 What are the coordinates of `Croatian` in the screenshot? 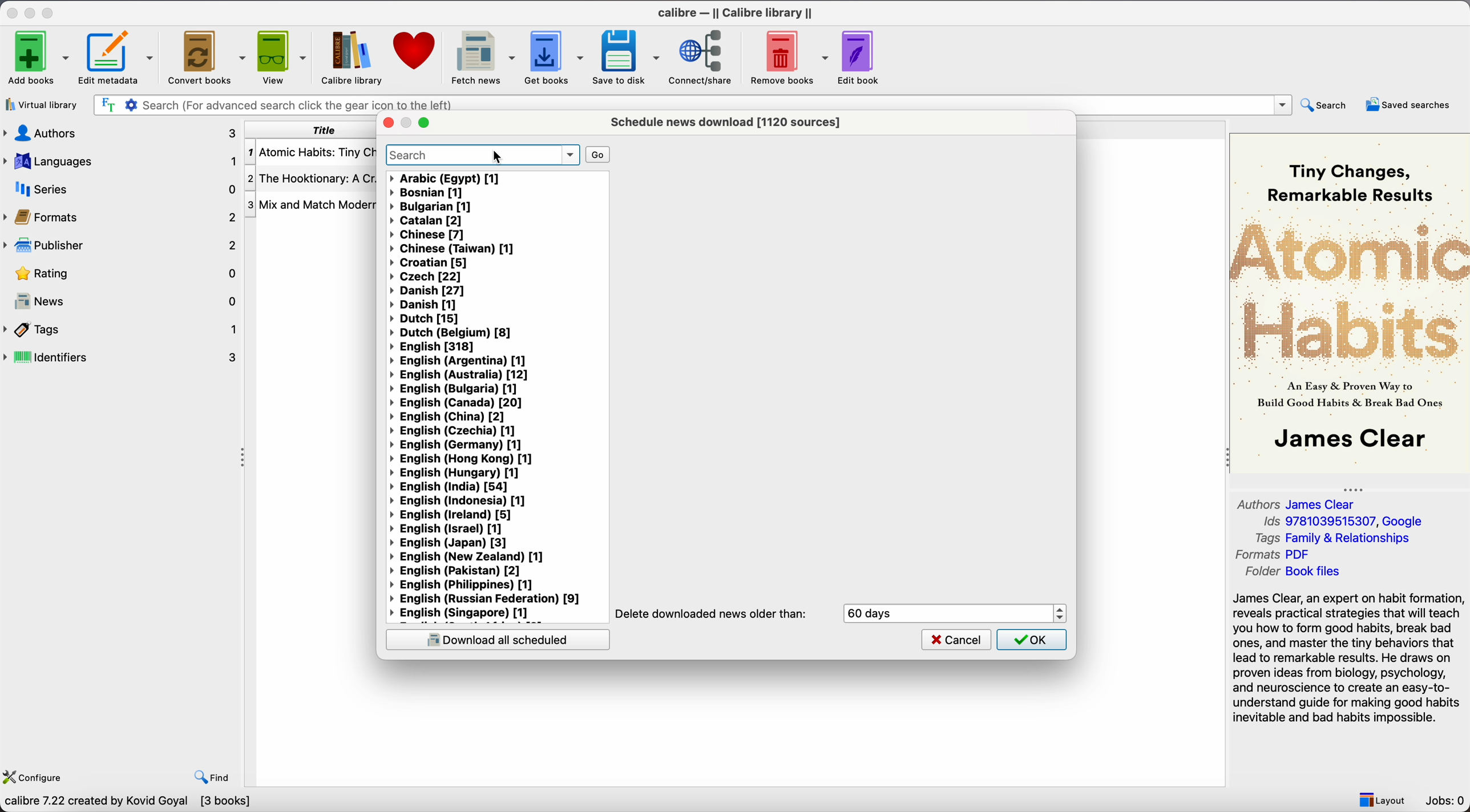 It's located at (429, 262).